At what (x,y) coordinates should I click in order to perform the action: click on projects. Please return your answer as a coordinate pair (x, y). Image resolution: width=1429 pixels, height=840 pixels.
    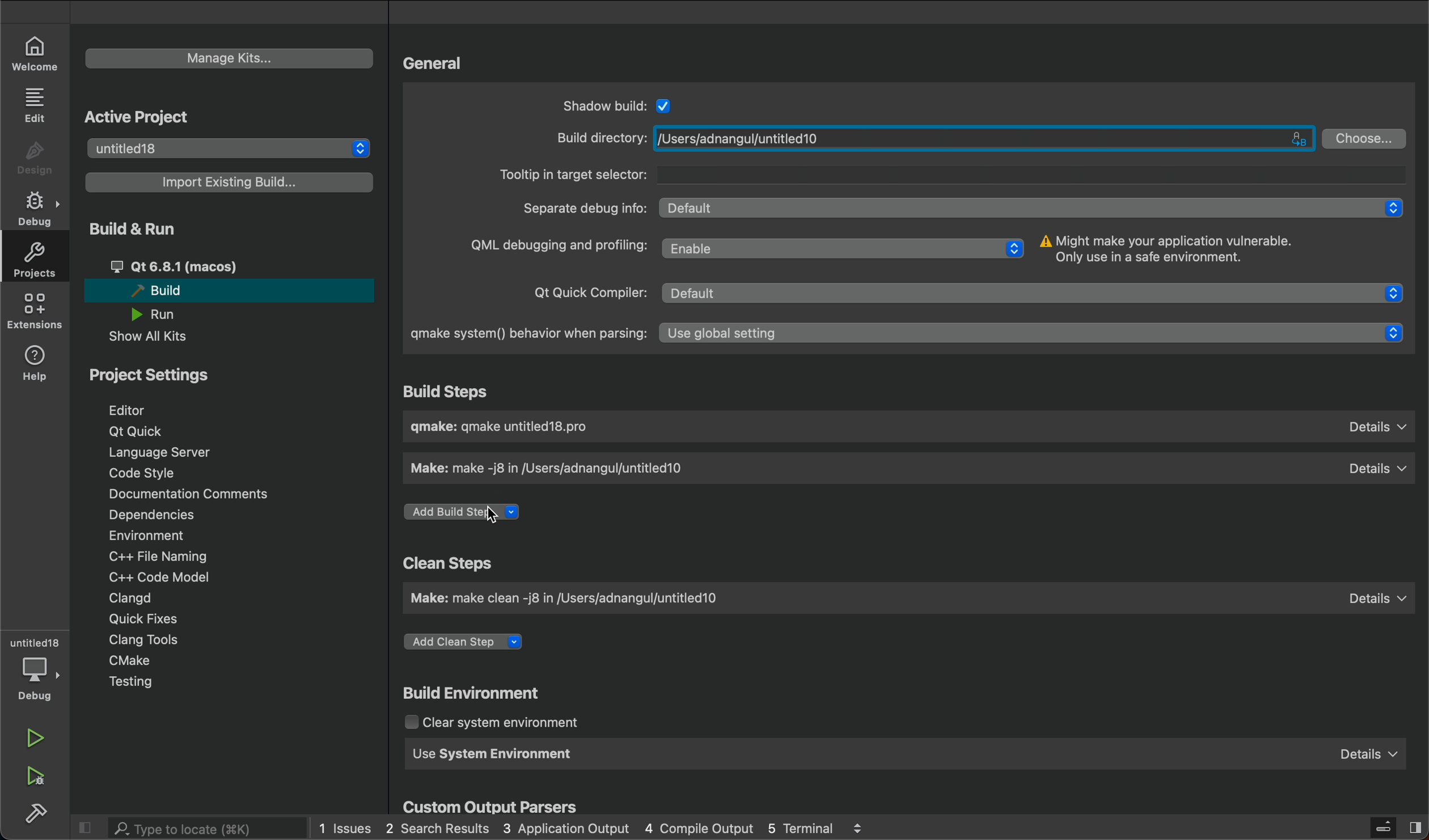
    Looking at the image, I should click on (36, 262).